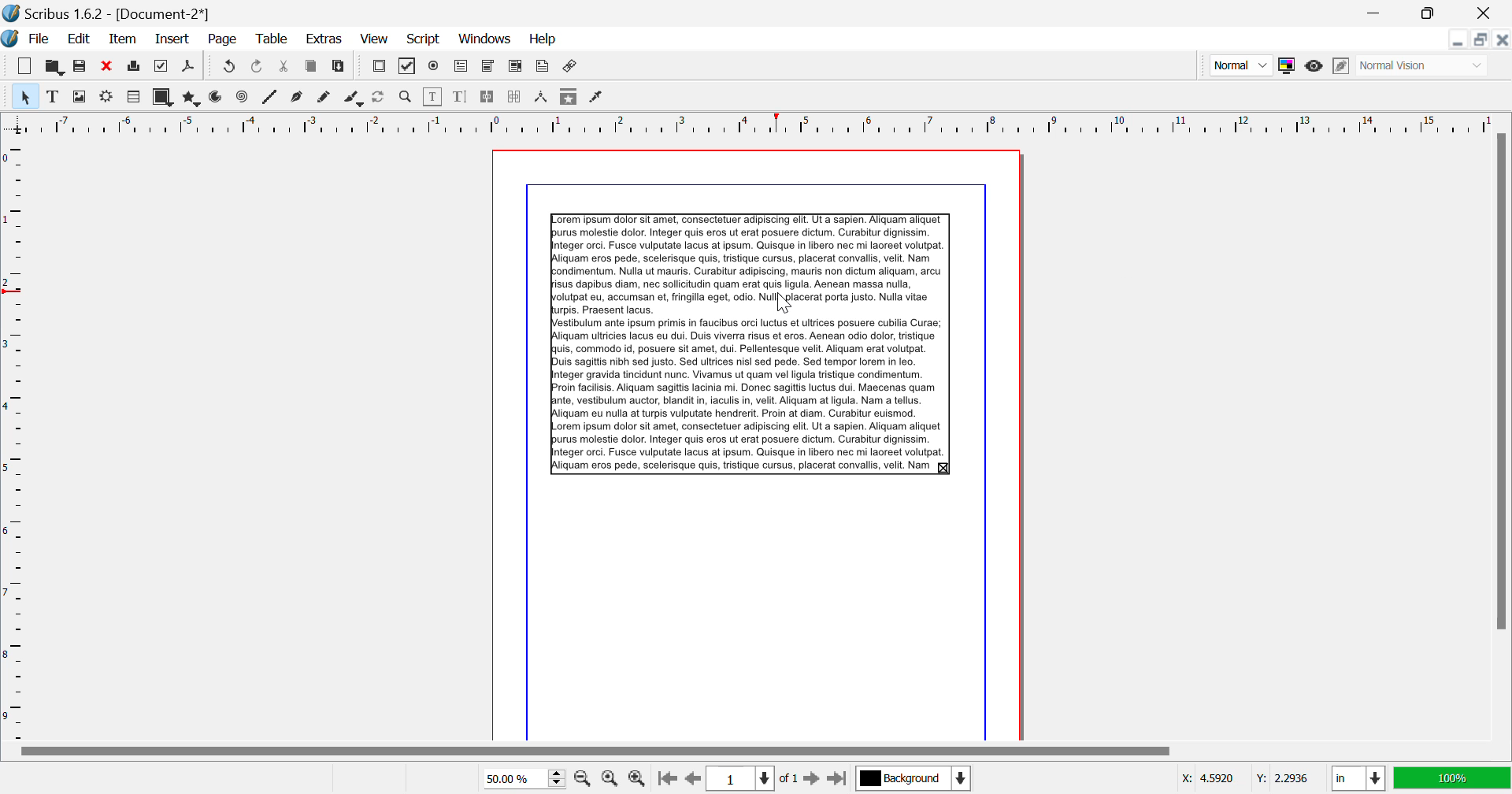 The image size is (1512, 794). Describe the element at coordinates (1488, 13) in the screenshot. I see `Close` at that location.